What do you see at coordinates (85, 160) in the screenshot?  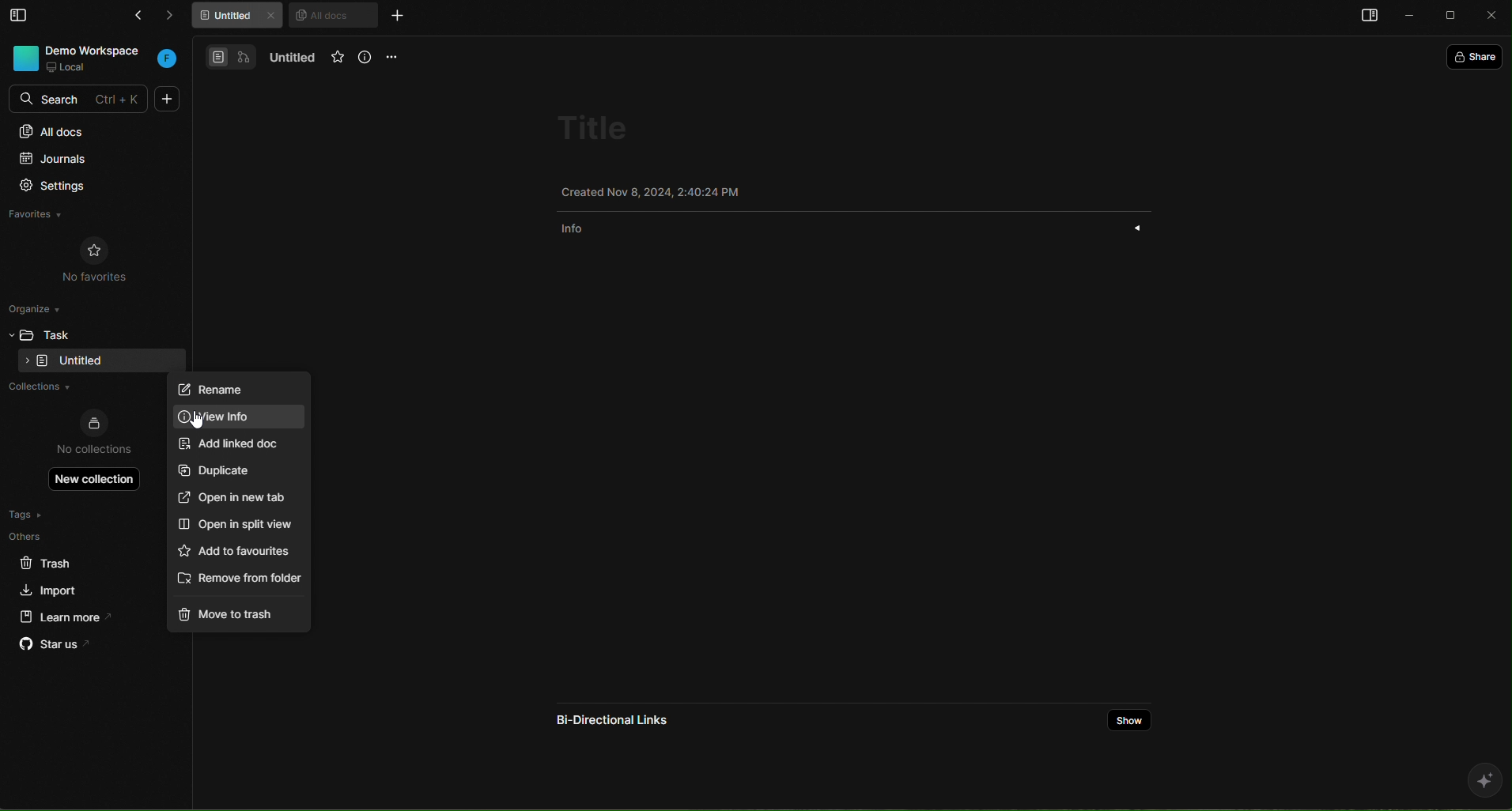 I see `journals` at bounding box center [85, 160].